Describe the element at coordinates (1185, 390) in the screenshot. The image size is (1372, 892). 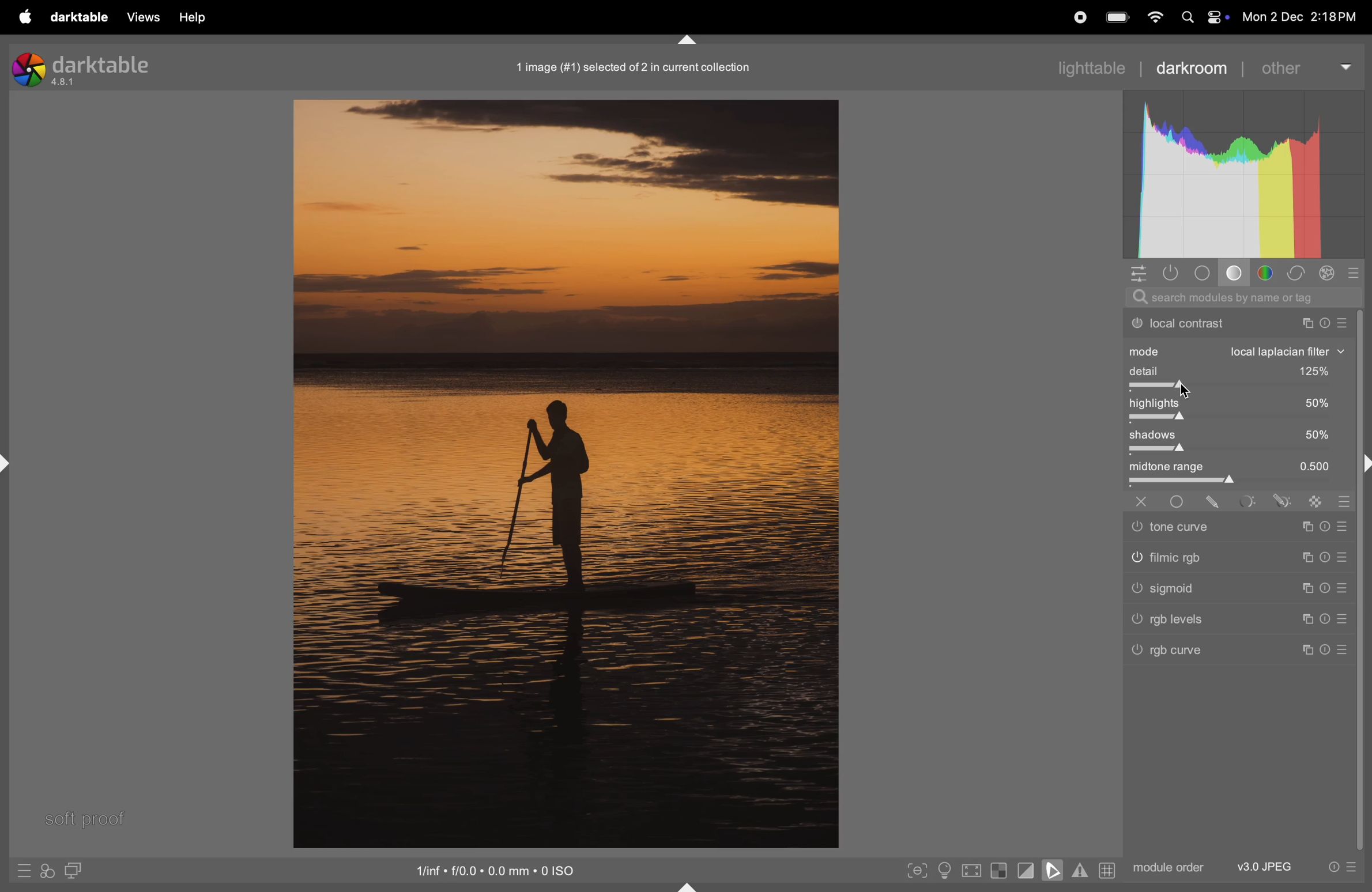
I see `` at that location.